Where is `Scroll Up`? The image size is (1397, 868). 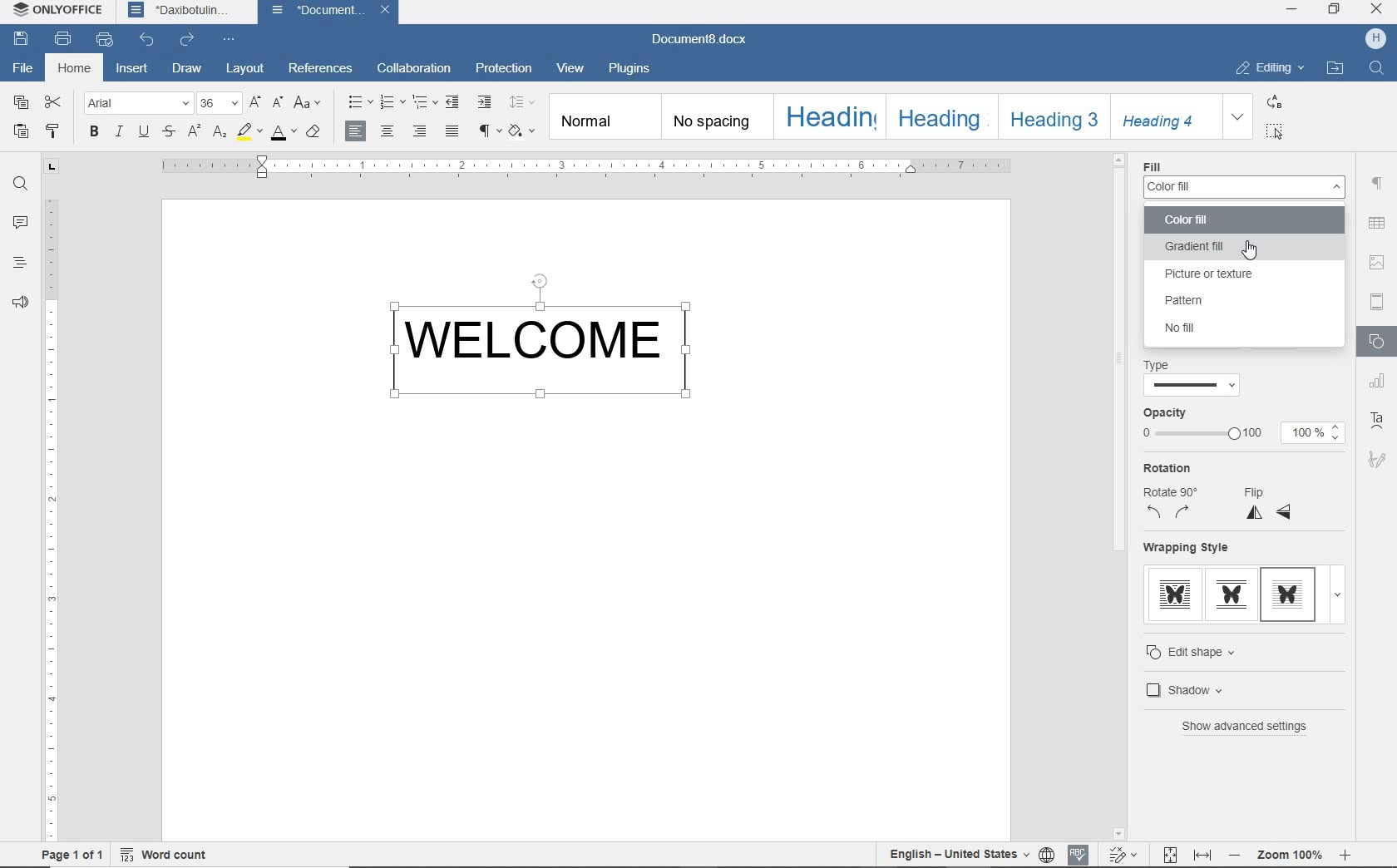 Scroll Up is located at coordinates (1119, 159).